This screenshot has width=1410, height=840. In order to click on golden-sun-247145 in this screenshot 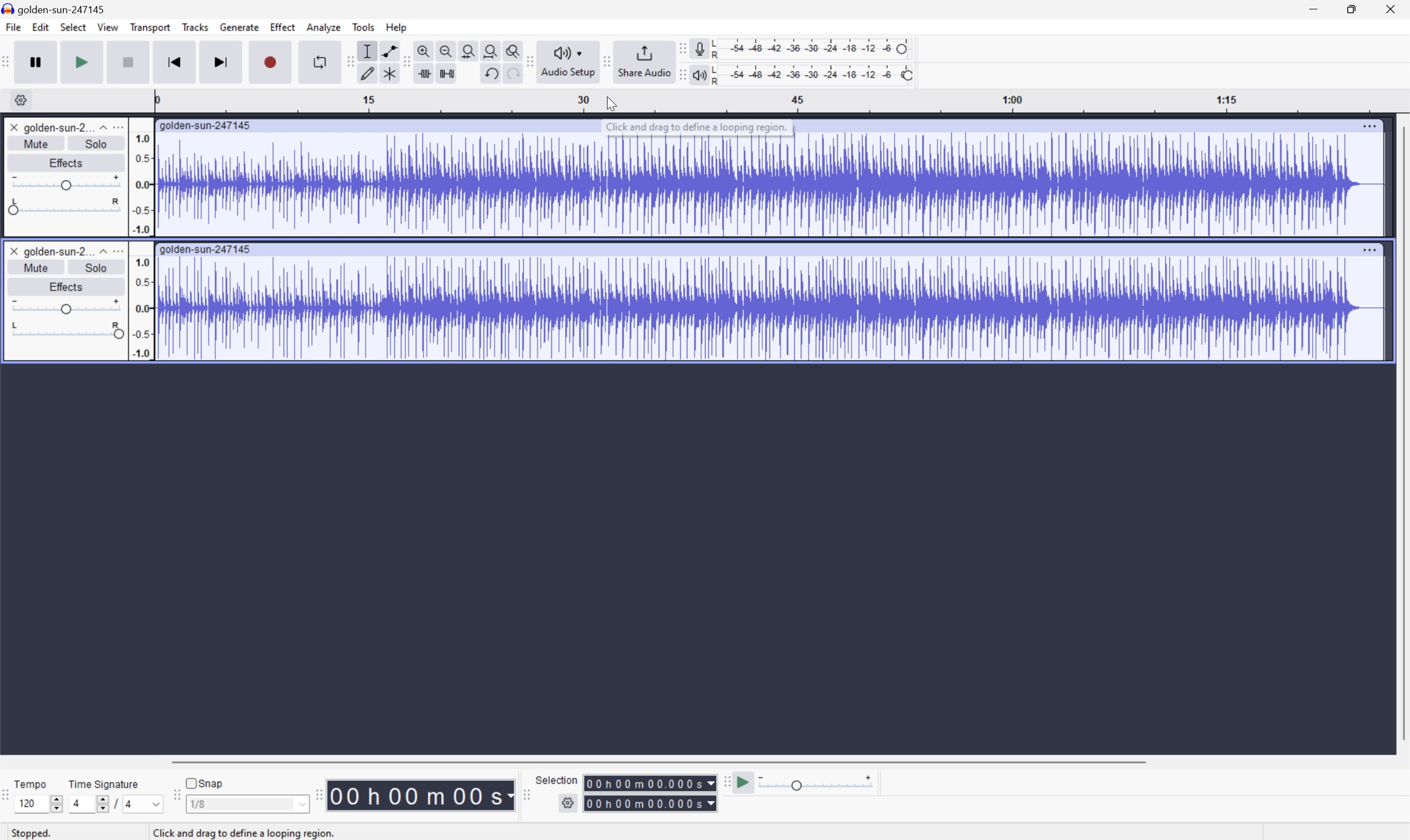, I will do `click(206, 246)`.